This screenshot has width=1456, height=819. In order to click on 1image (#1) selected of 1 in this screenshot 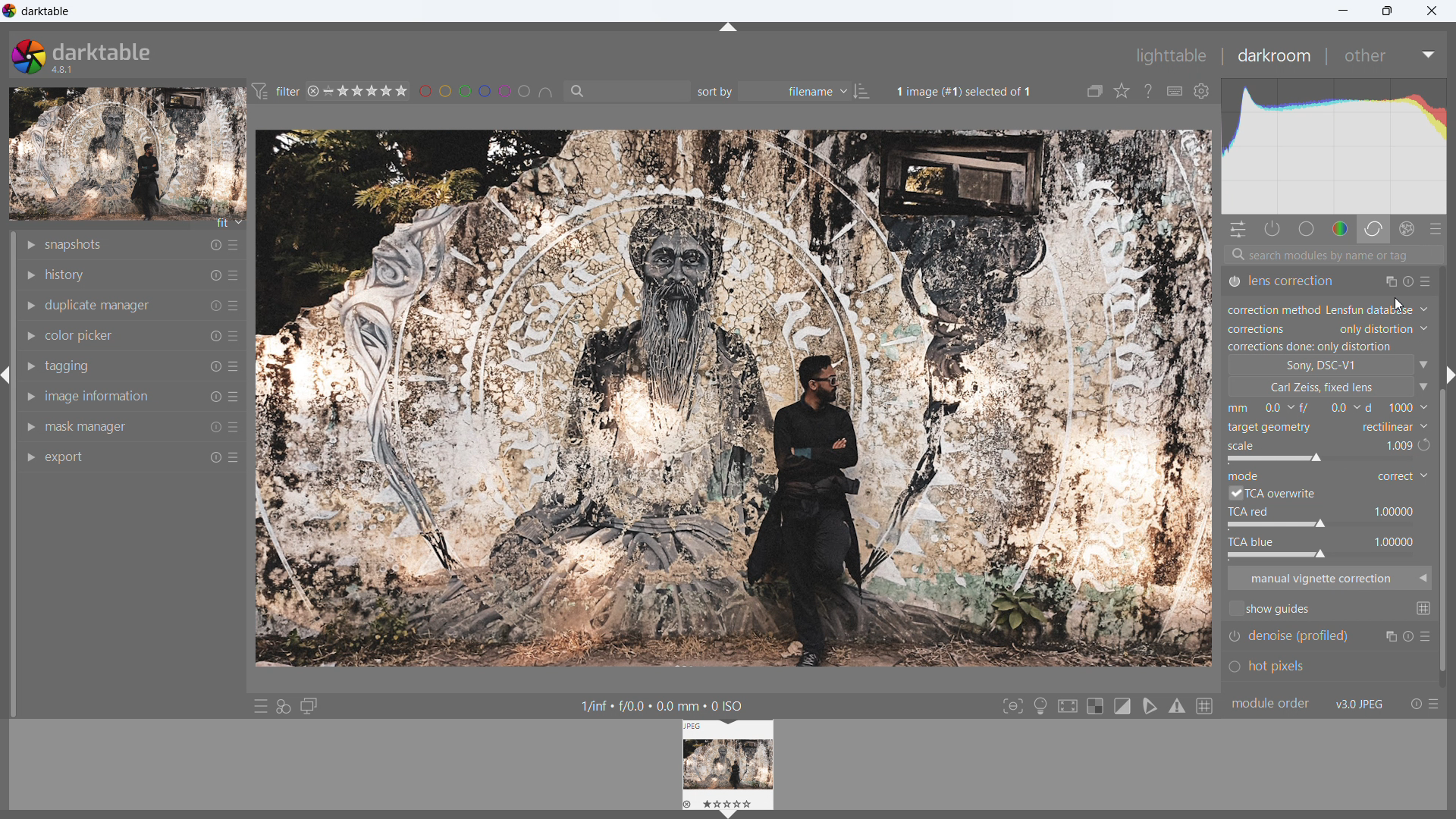, I will do `click(971, 96)`.